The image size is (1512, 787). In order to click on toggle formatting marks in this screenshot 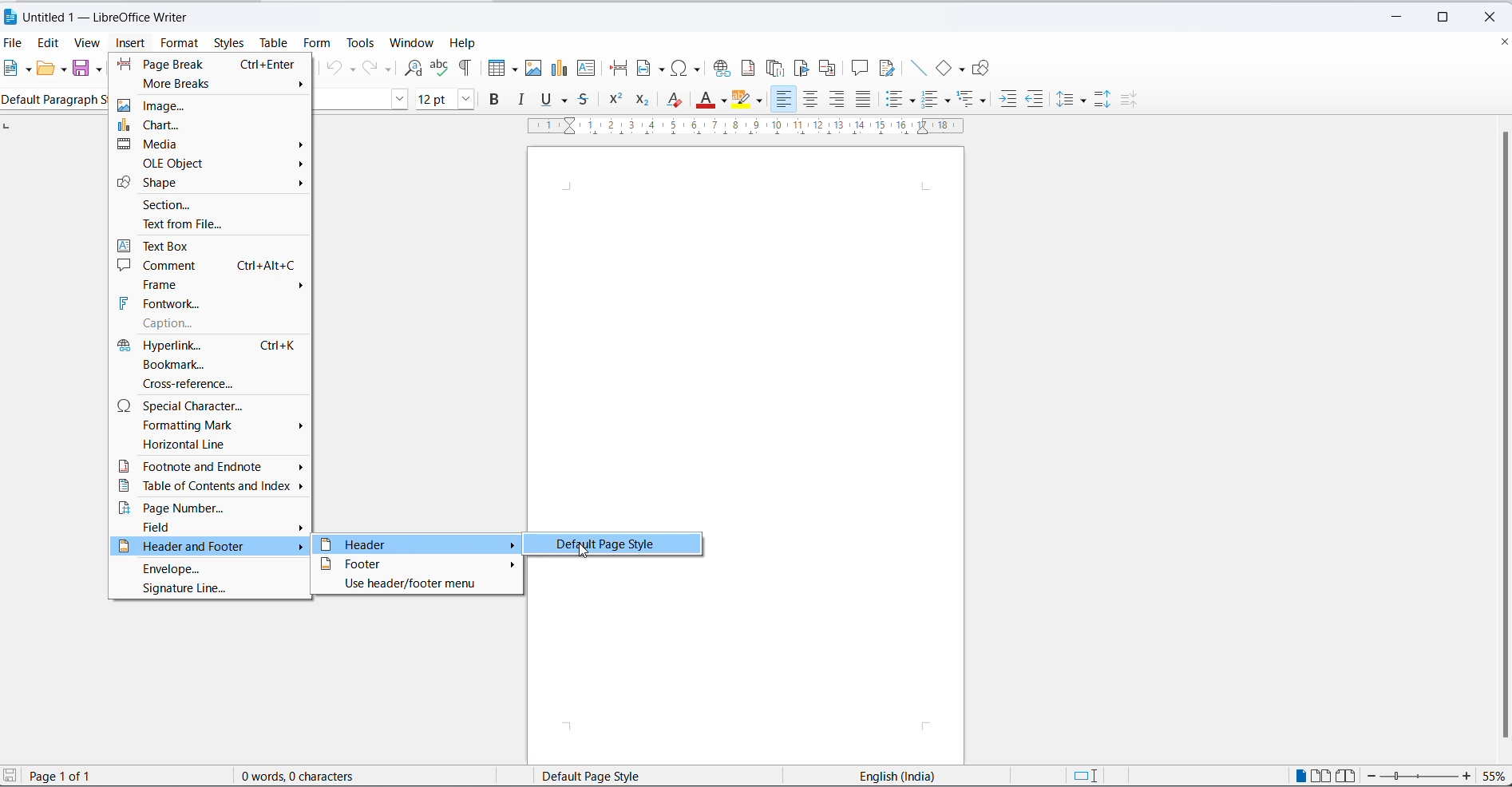, I will do `click(467, 68)`.